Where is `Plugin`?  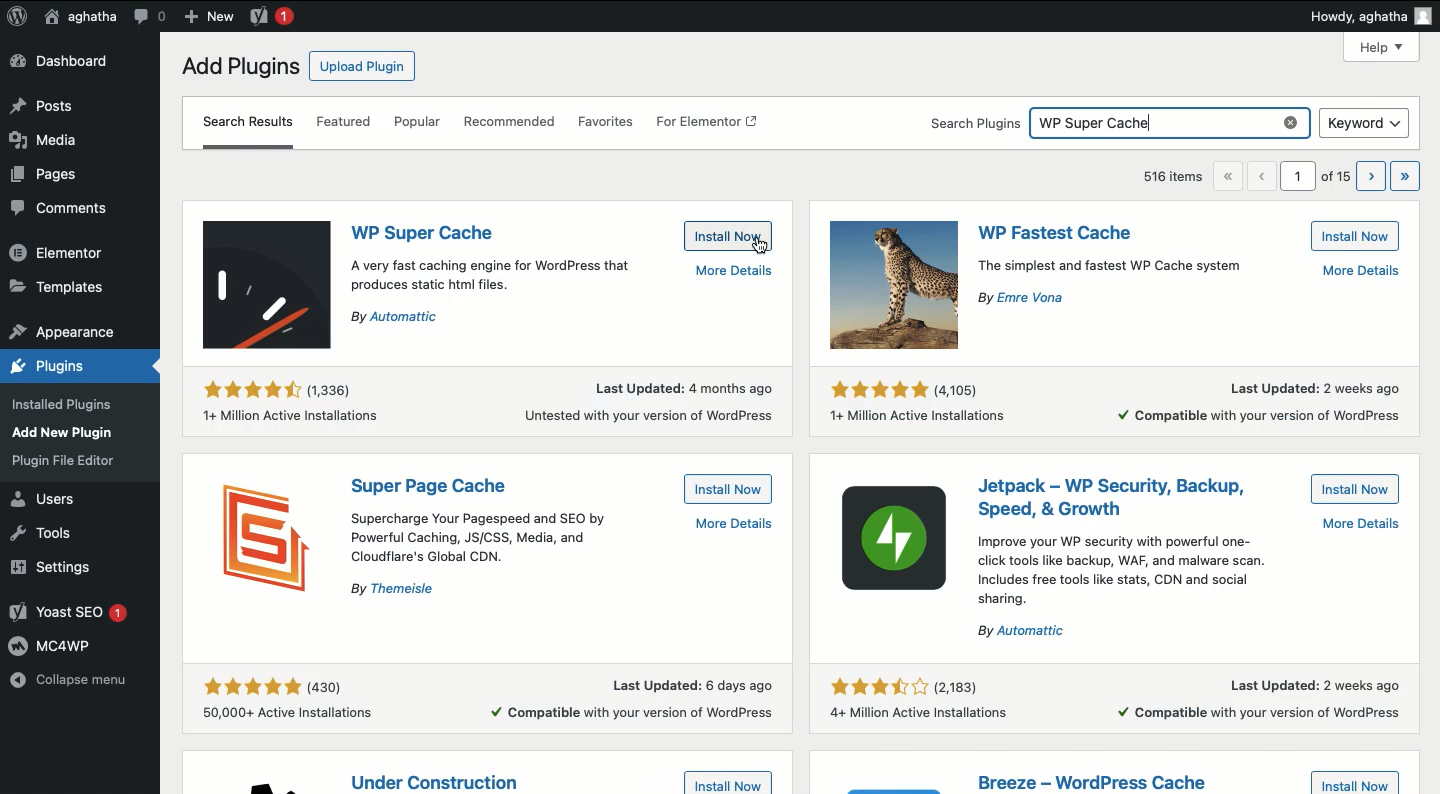 Plugin is located at coordinates (431, 490).